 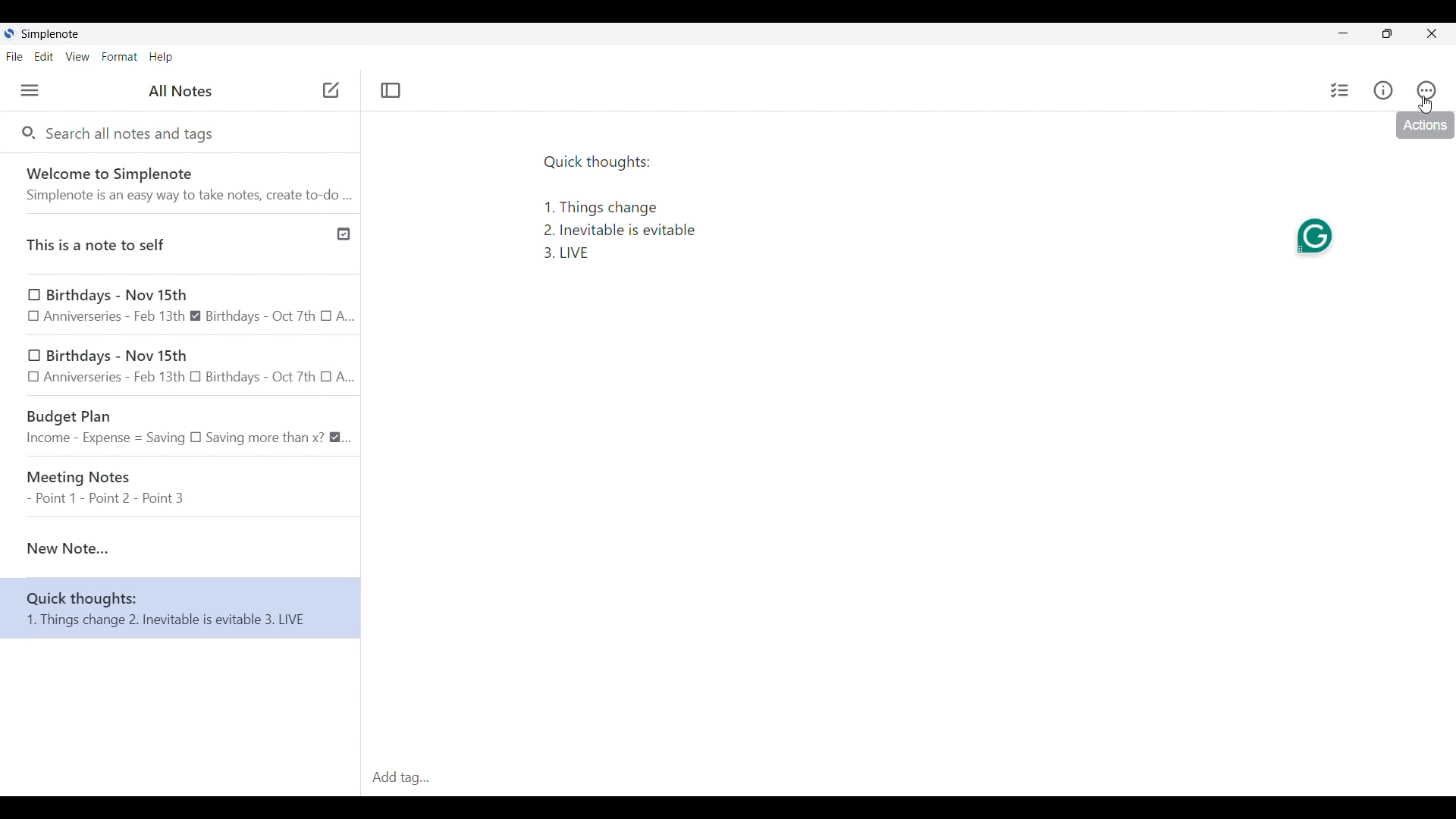 I want to click on Budget Plan, so click(x=181, y=424).